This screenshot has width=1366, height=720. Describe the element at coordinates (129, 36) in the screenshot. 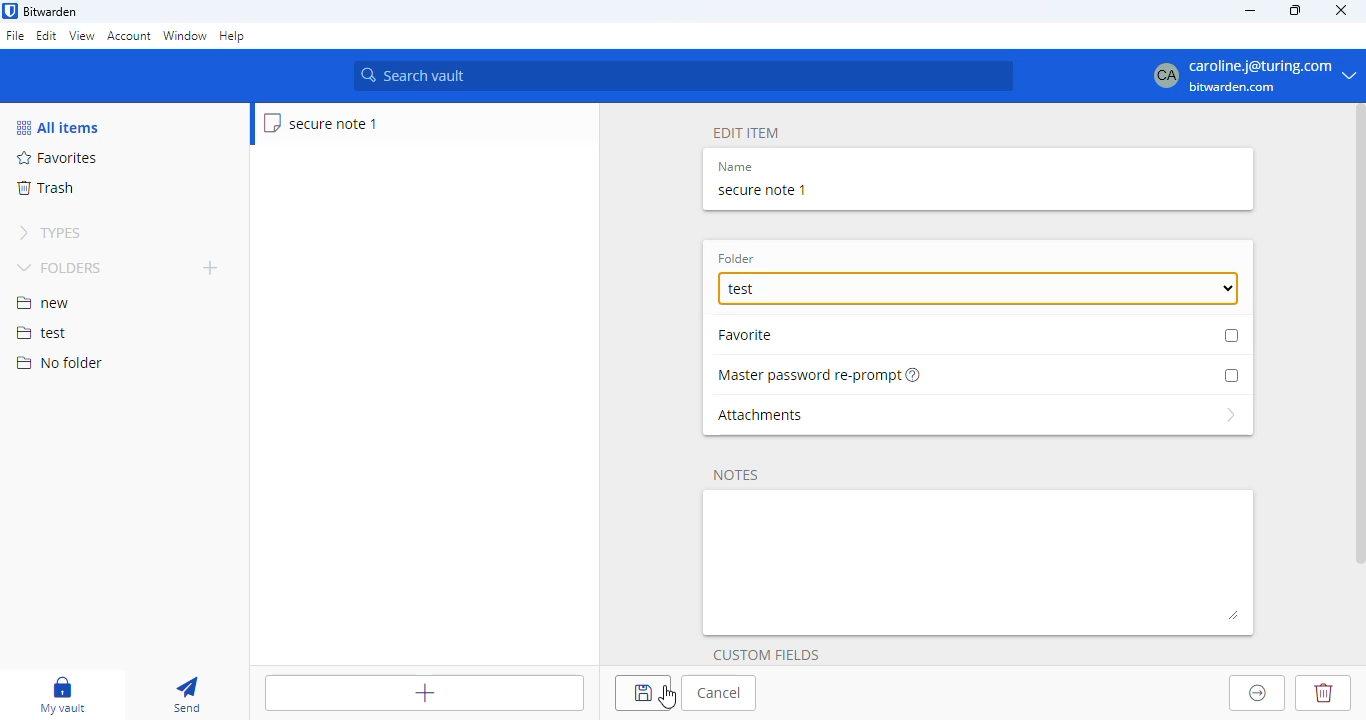

I see `account` at that location.